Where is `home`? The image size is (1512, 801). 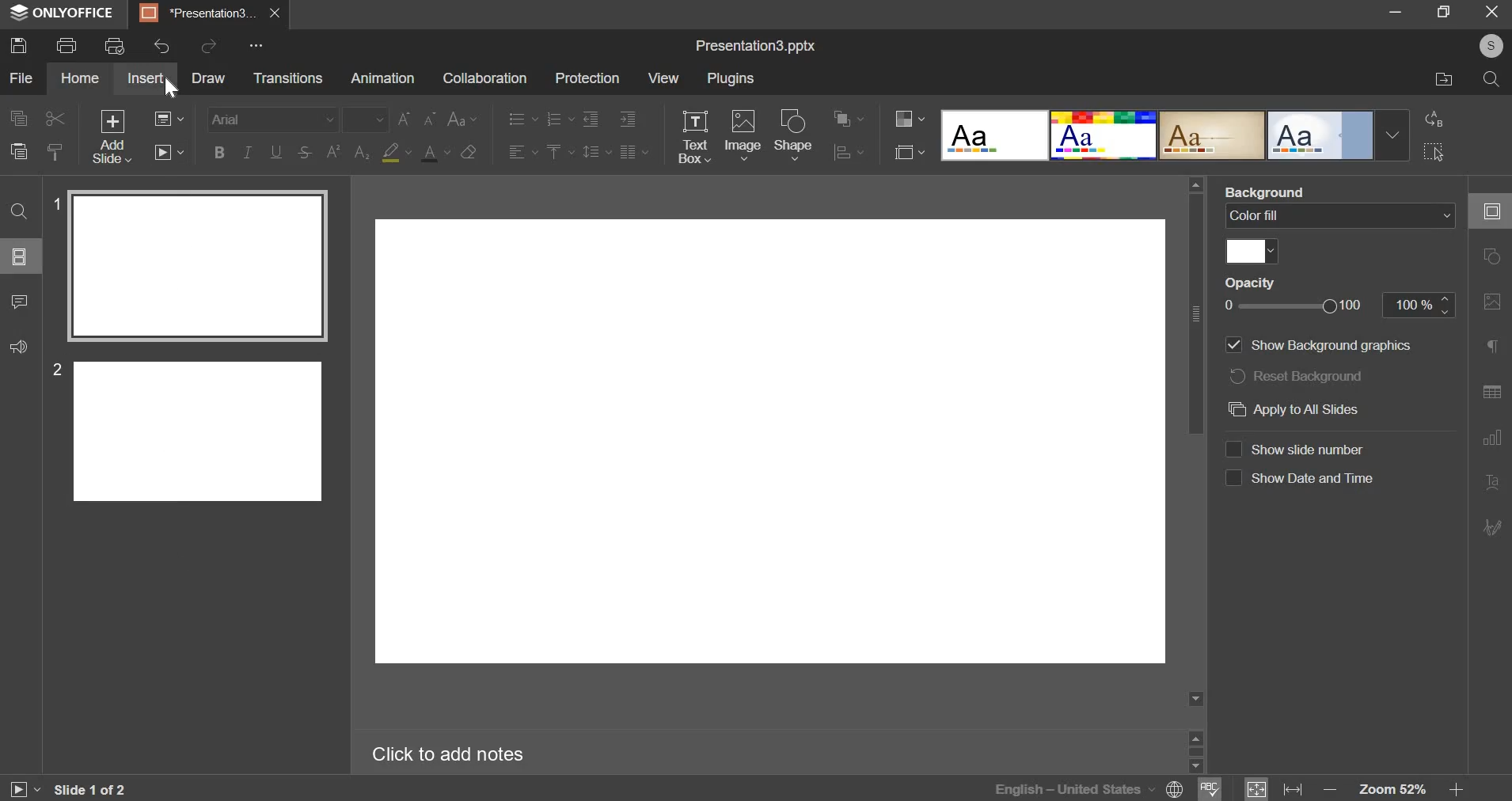 home is located at coordinates (81, 78).